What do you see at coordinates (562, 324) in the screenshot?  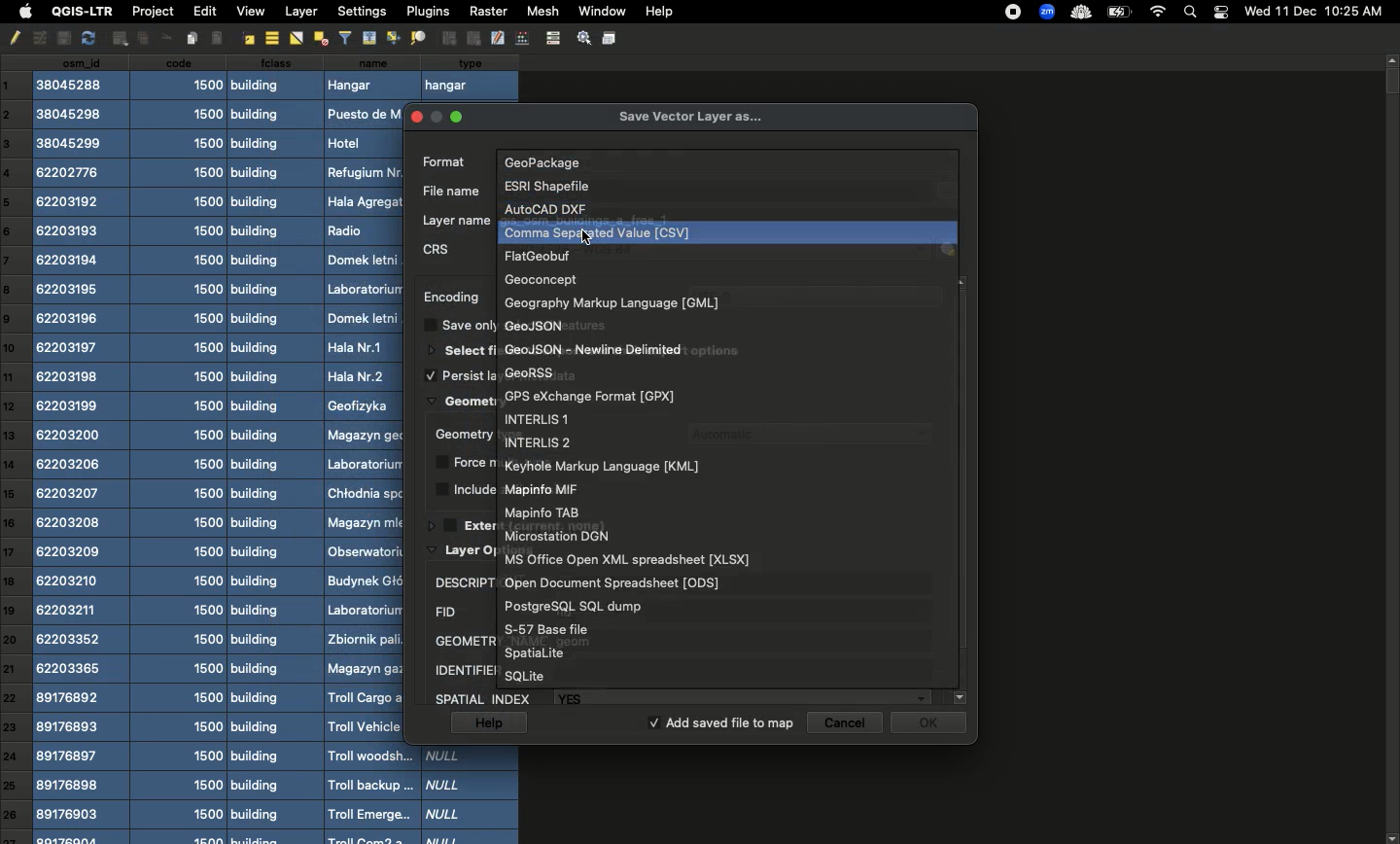 I see `Format` at bounding box center [562, 324].